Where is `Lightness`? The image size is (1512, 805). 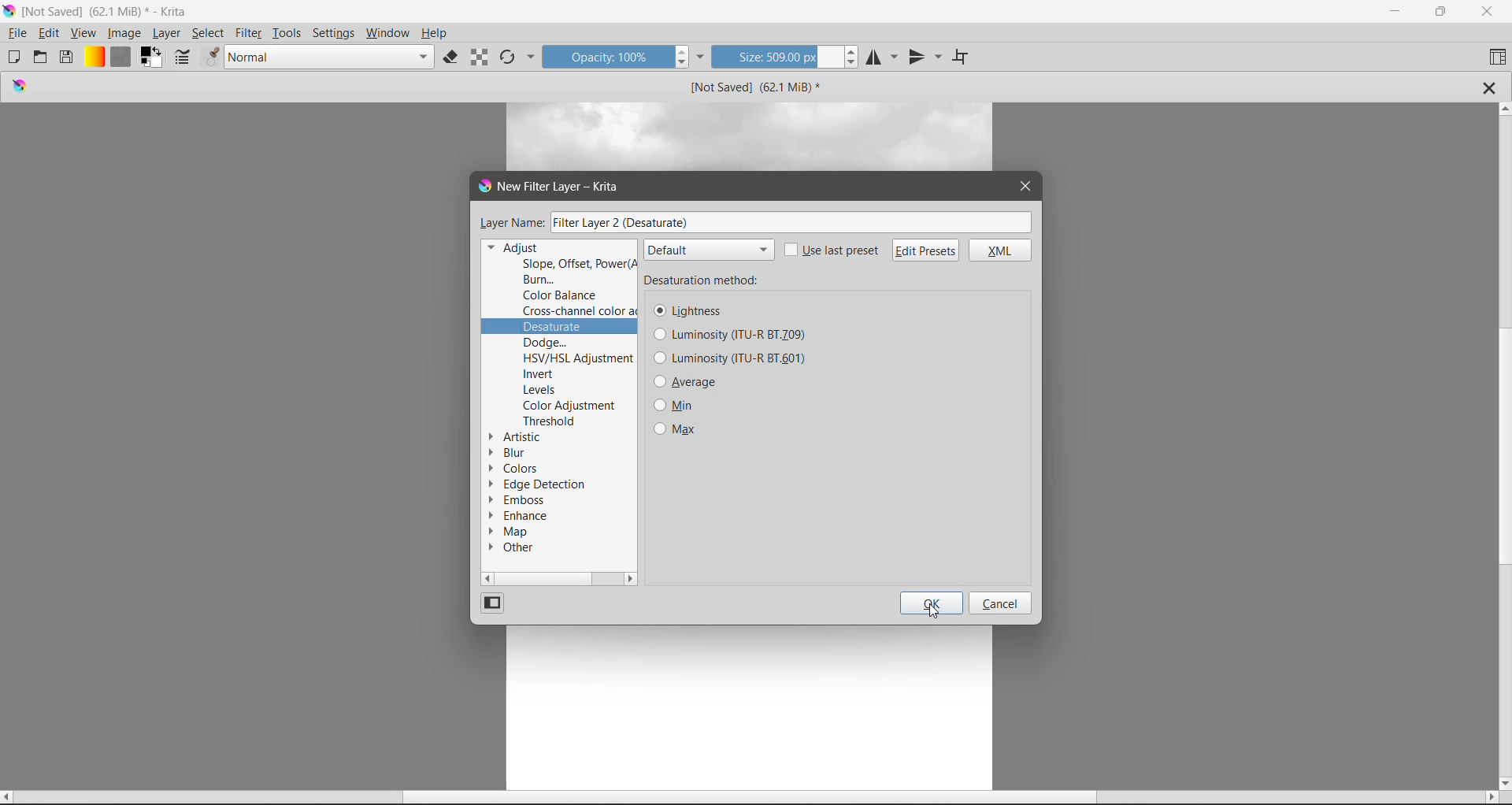
Lightness is located at coordinates (692, 310).